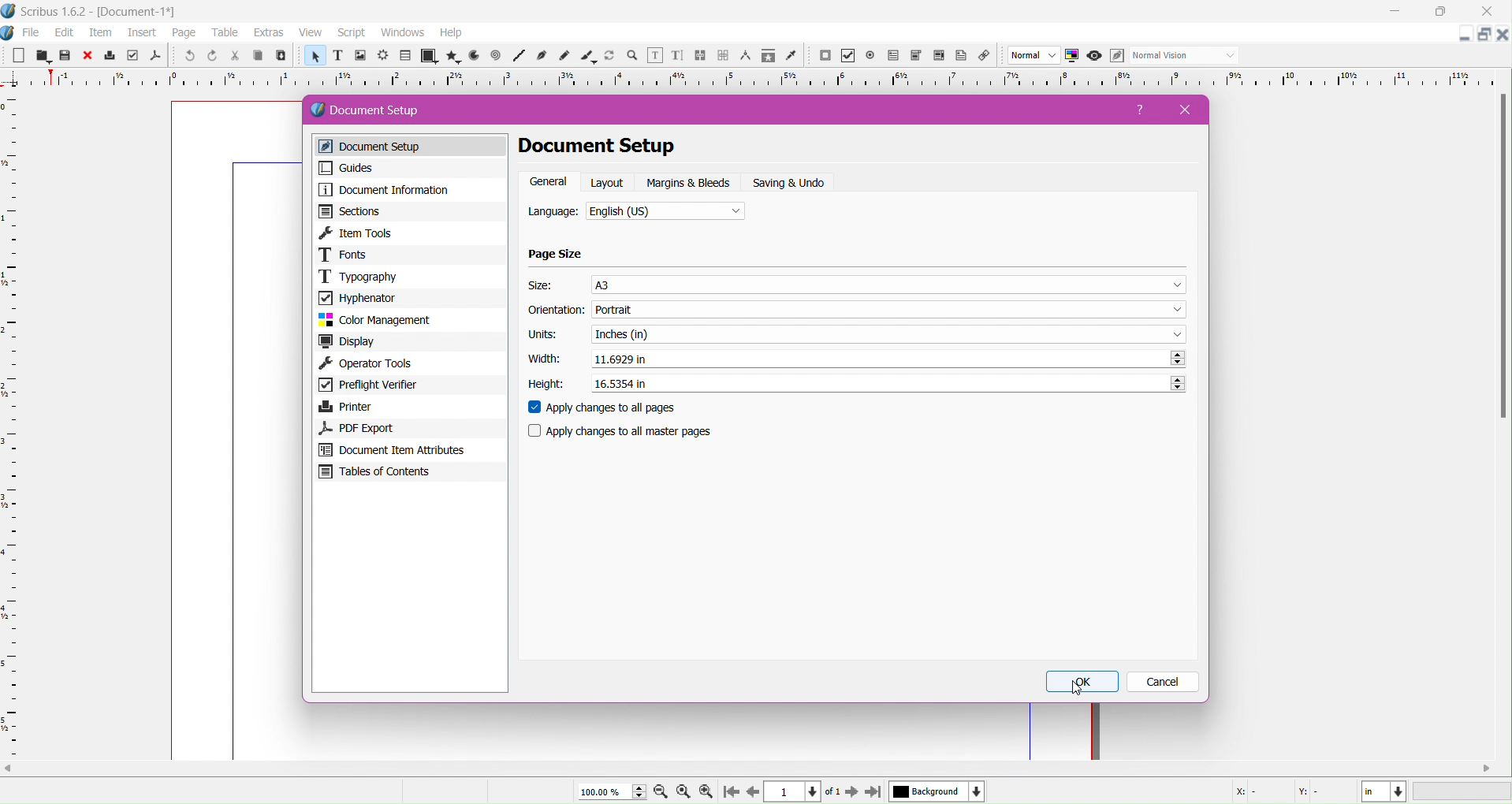  I want to click on file menu, so click(32, 33).